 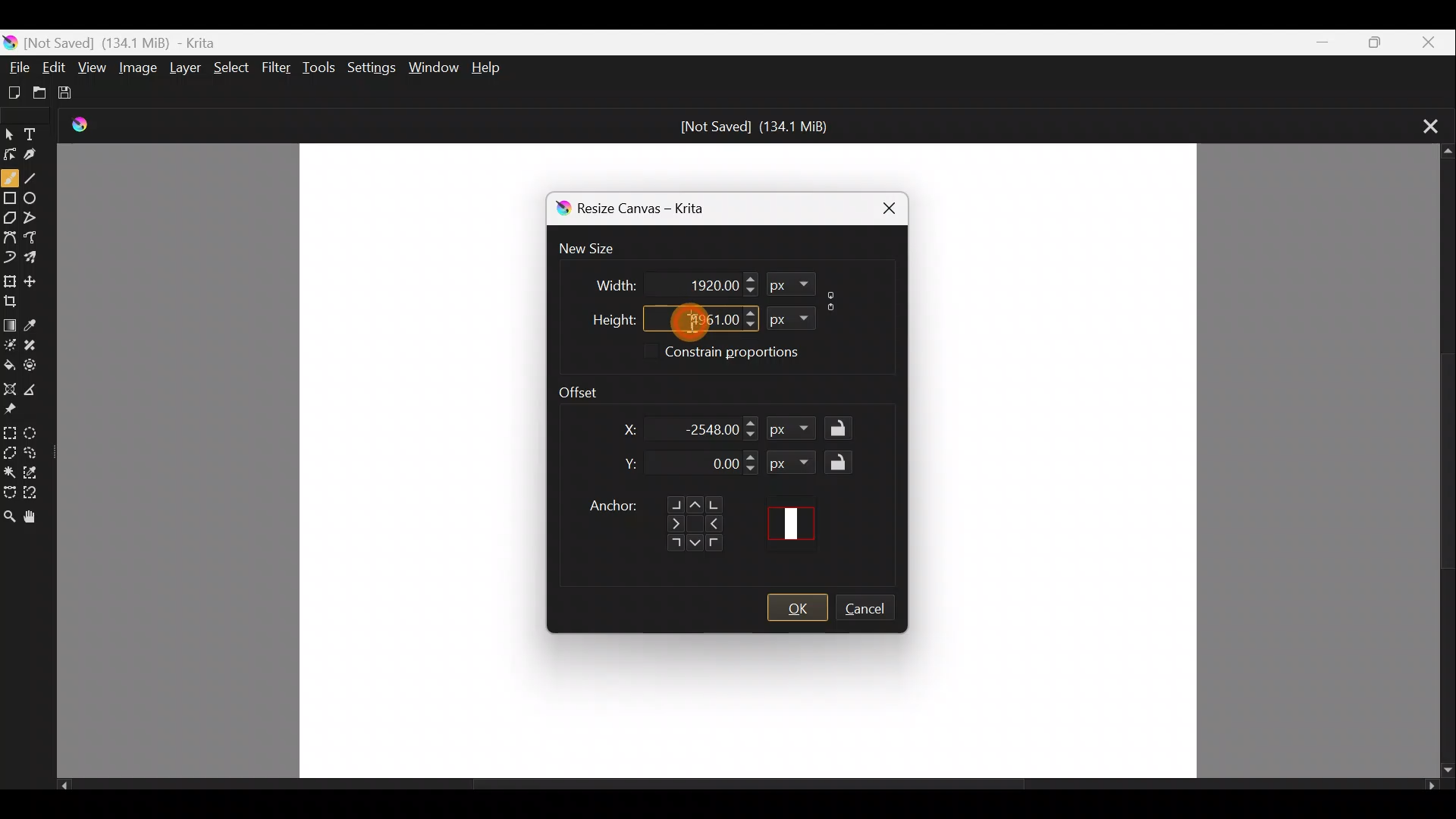 I want to click on Similar colour selection tool, so click(x=37, y=474).